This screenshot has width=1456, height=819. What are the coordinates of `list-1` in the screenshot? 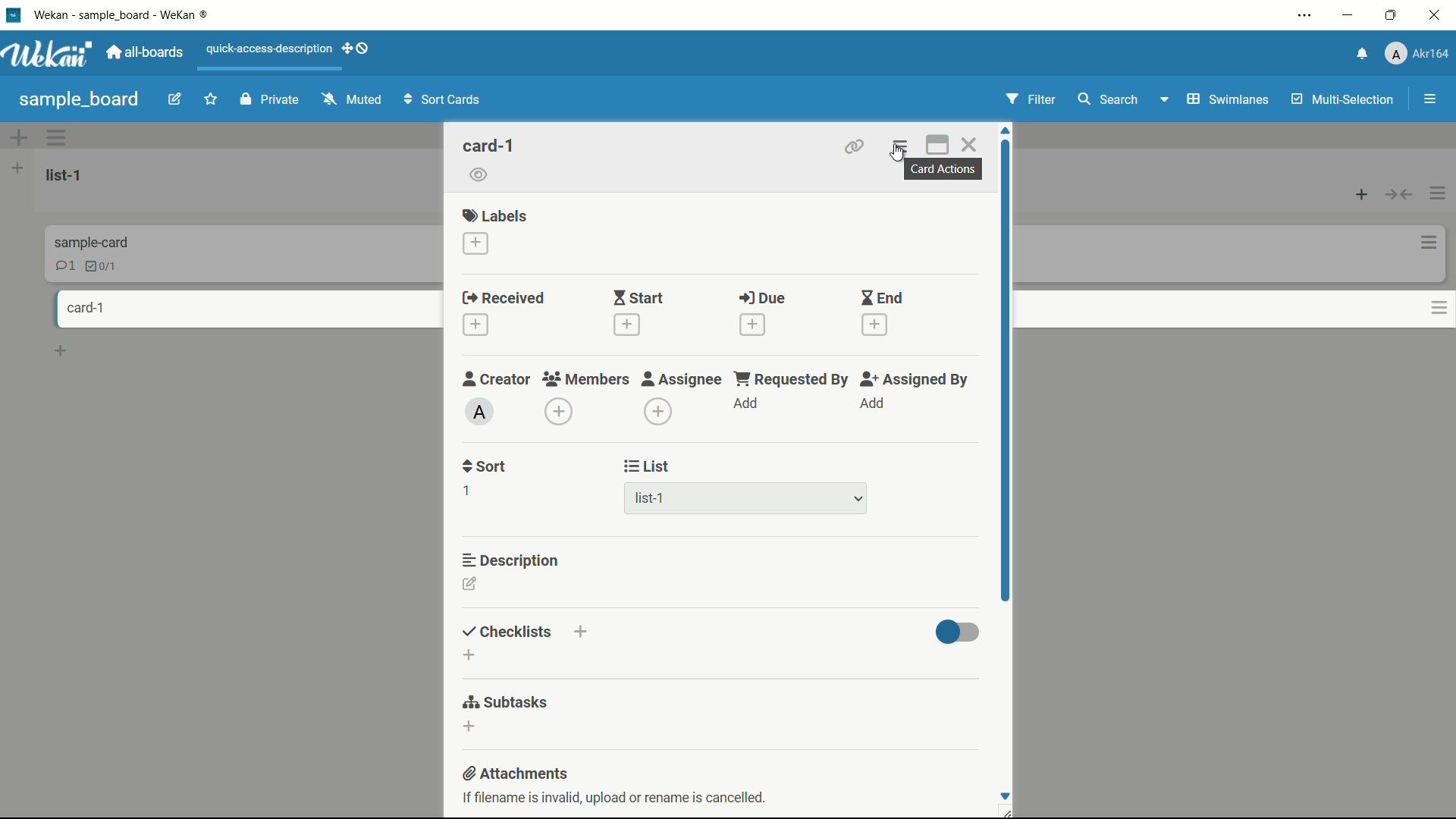 It's located at (64, 176).